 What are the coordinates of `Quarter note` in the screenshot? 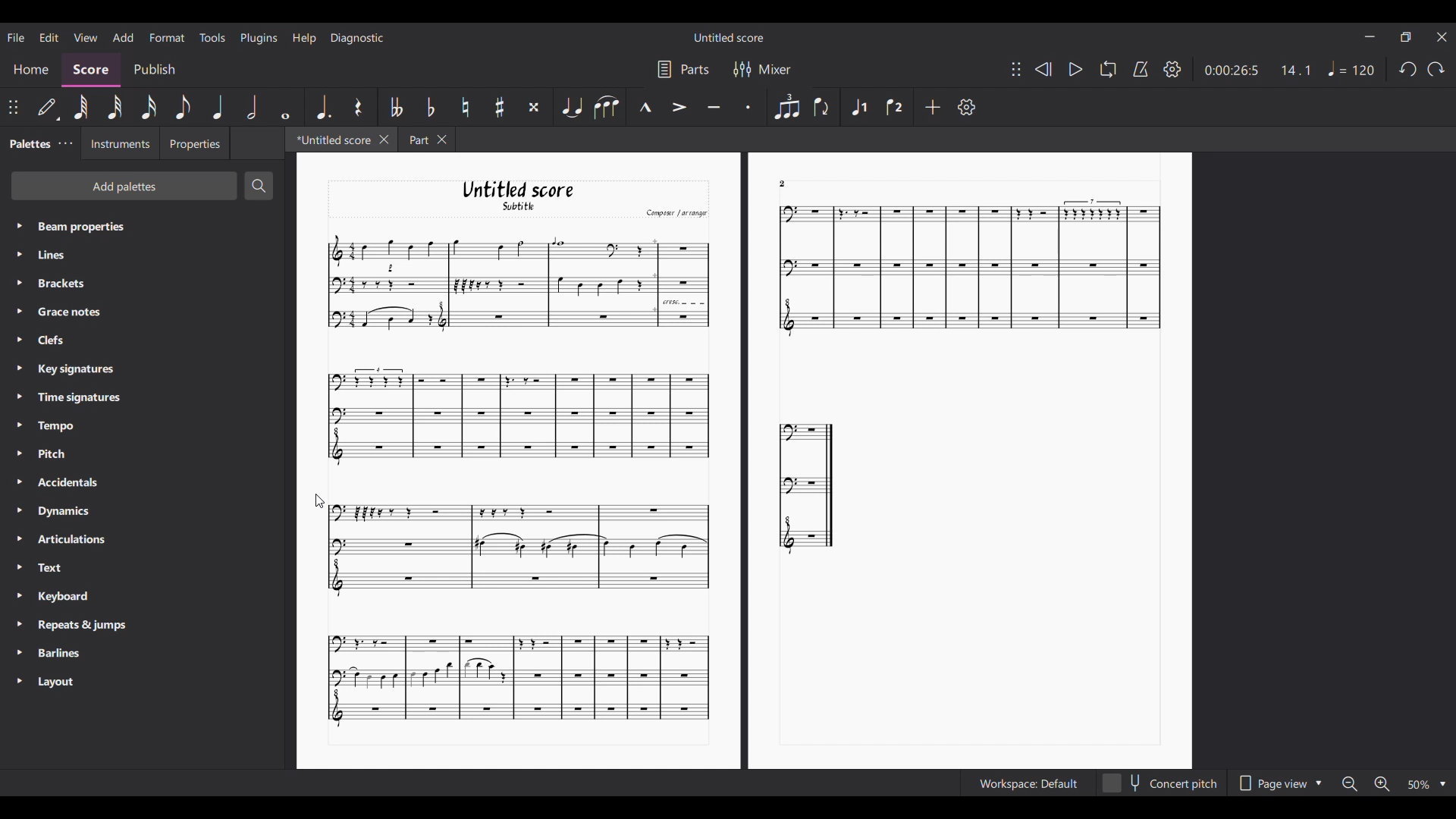 It's located at (217, 107).